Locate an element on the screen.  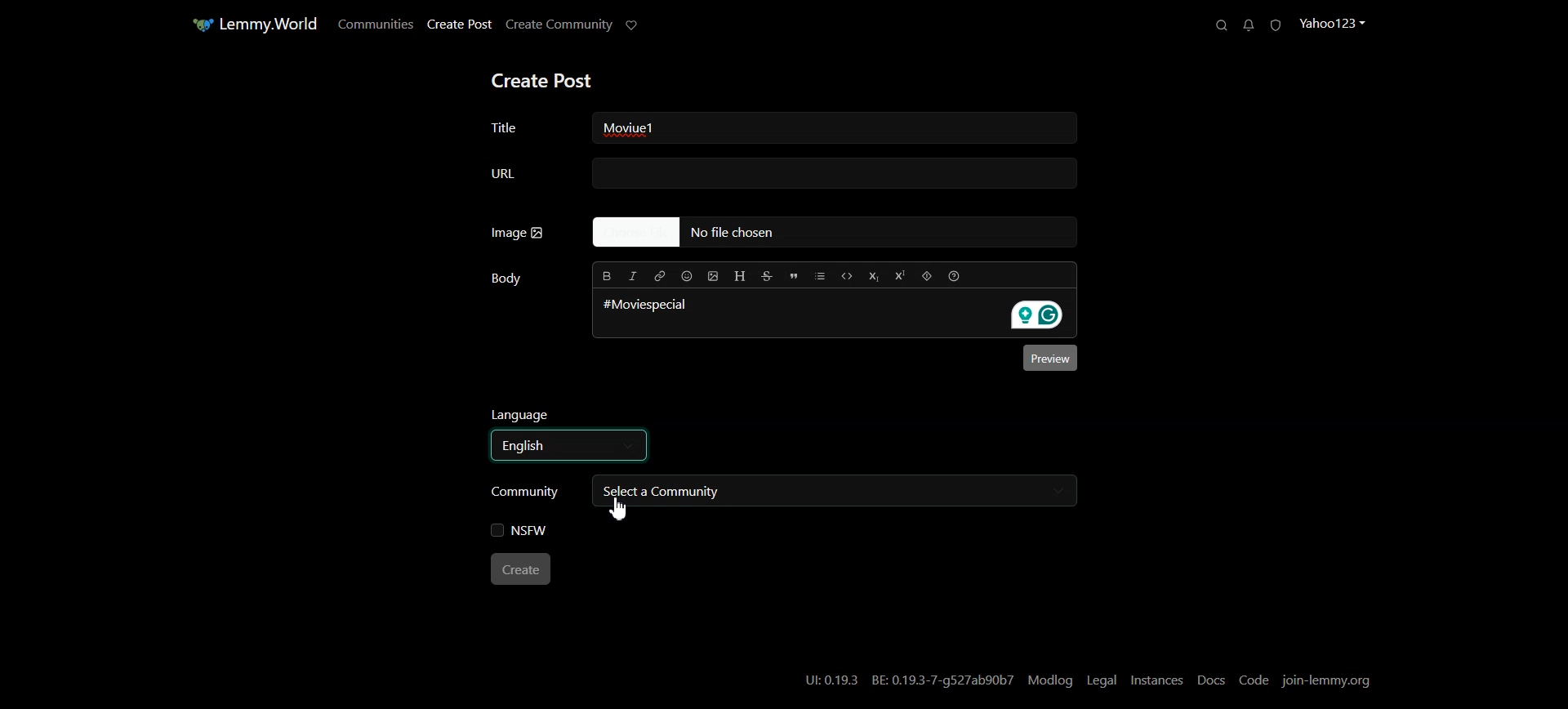
Support Limmy is located at coordinates (636, 26).